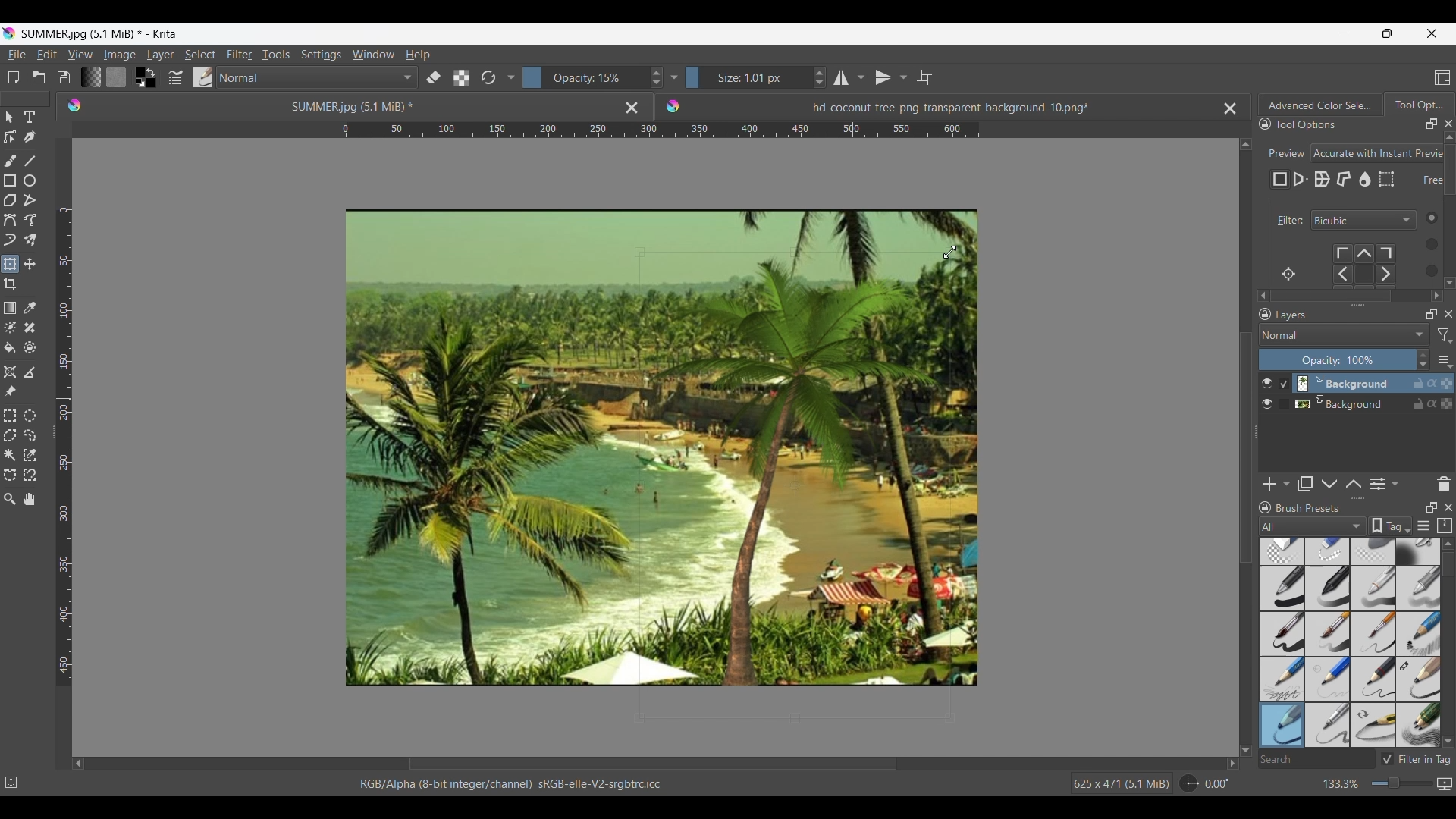  Describe the element at coordinates (1387, 33) in the screenshot. I see `Show interface in a smaller tab` at that location.